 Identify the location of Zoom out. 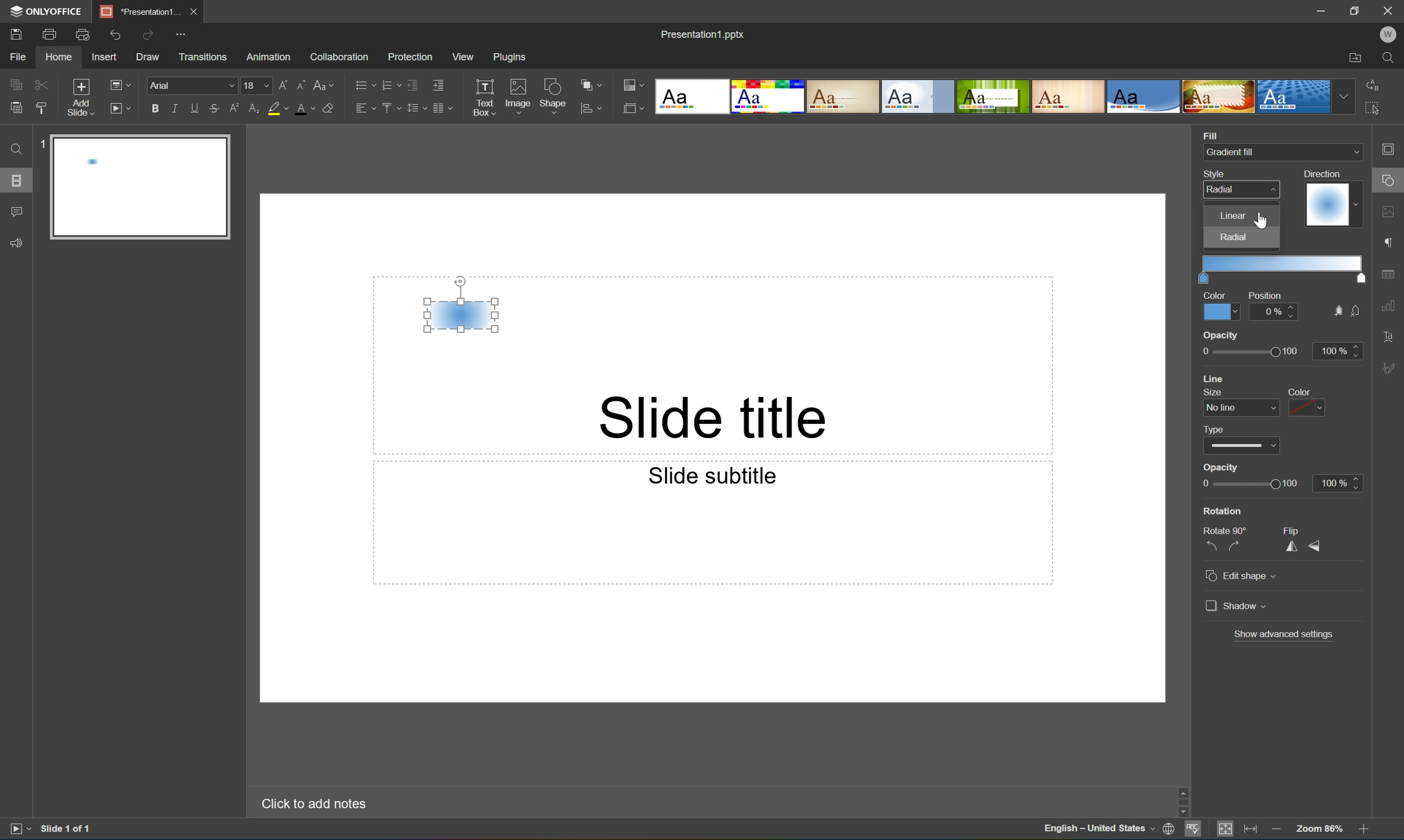
(1275, 829).